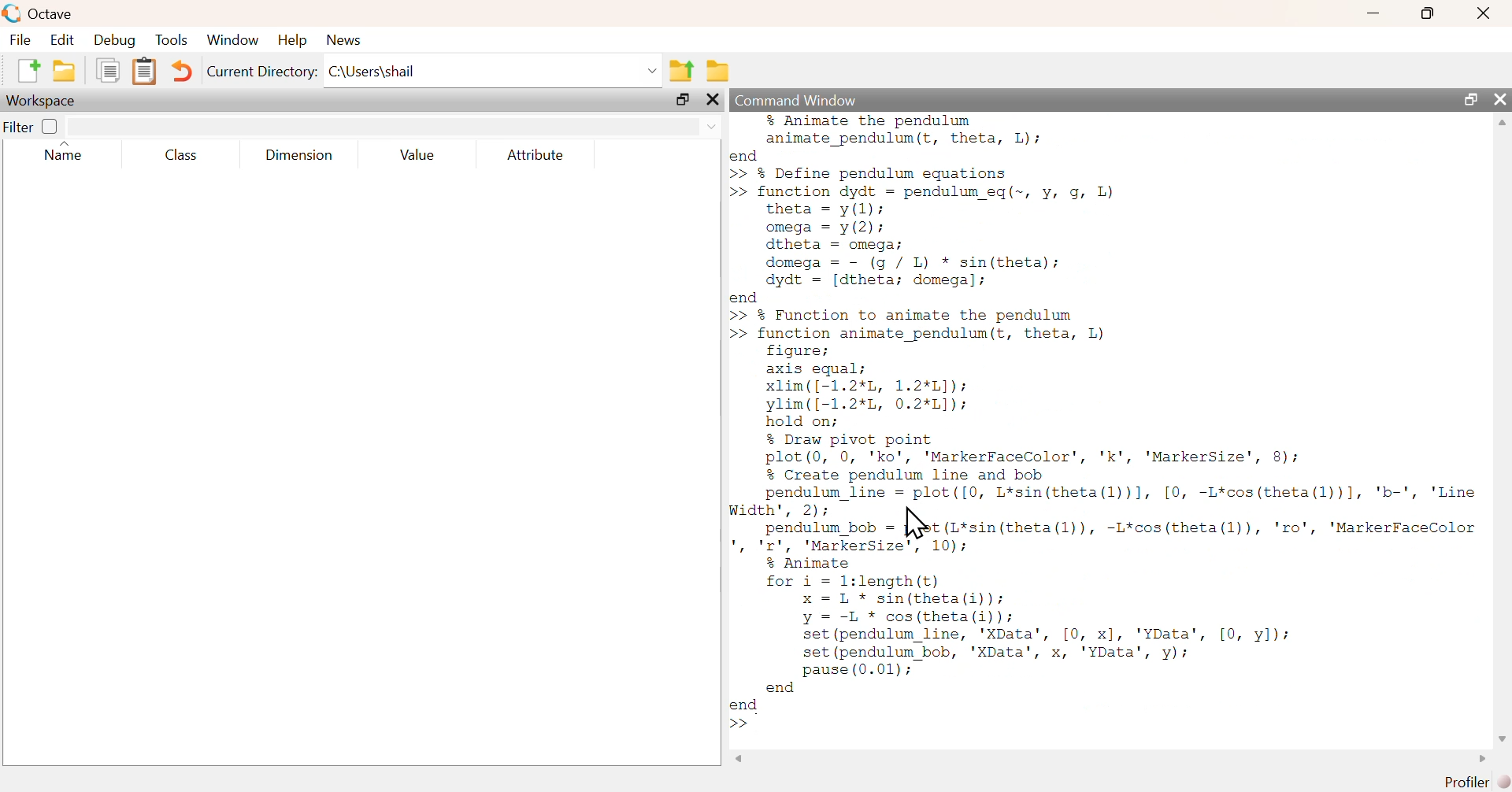  What do you see at coordinates (1429, 13) in the screenshot?
I see `Maximize` at bounding box center [1429, 13].